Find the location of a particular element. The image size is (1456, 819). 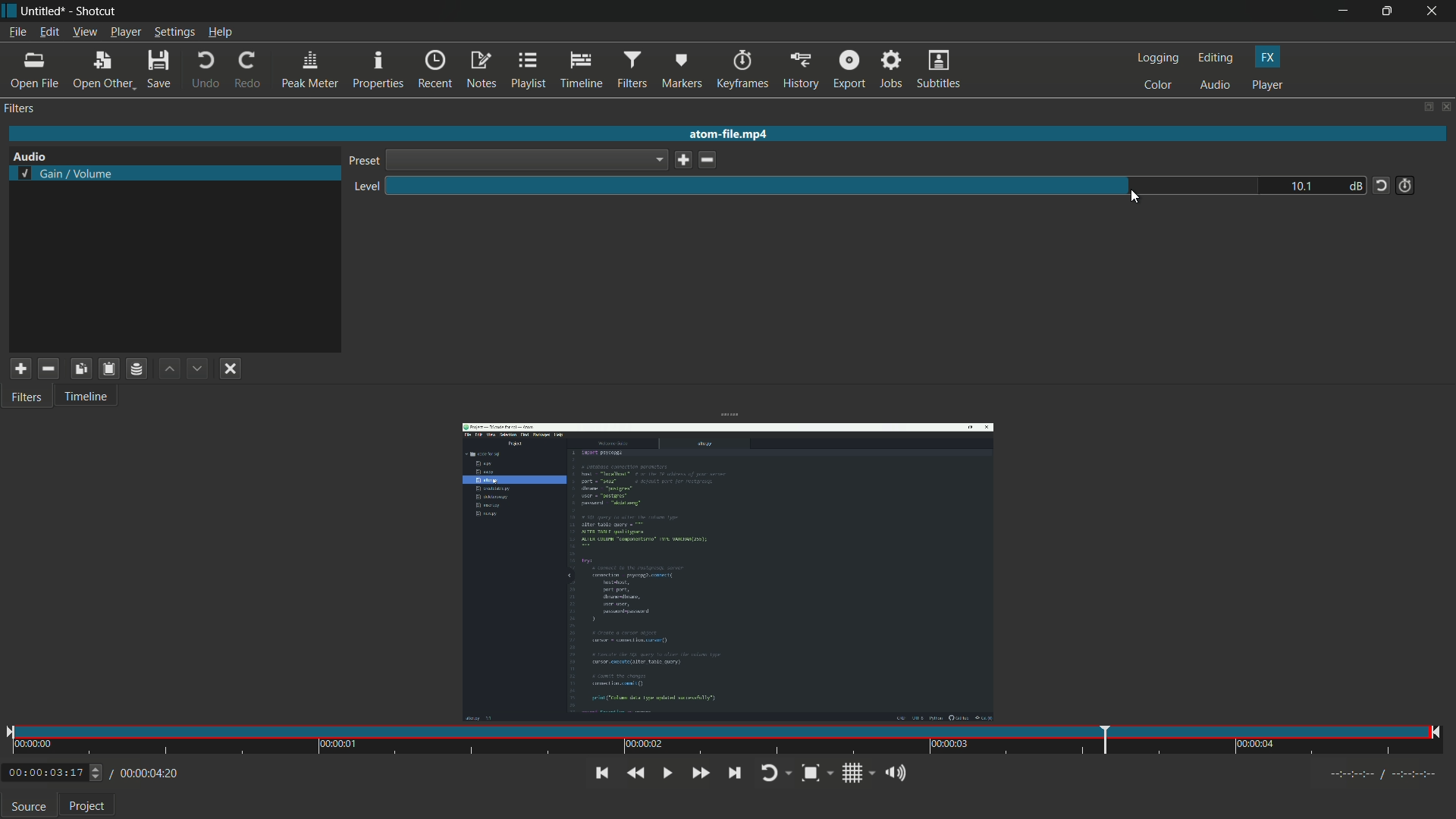

add filter is located at coordinates (20, 369).